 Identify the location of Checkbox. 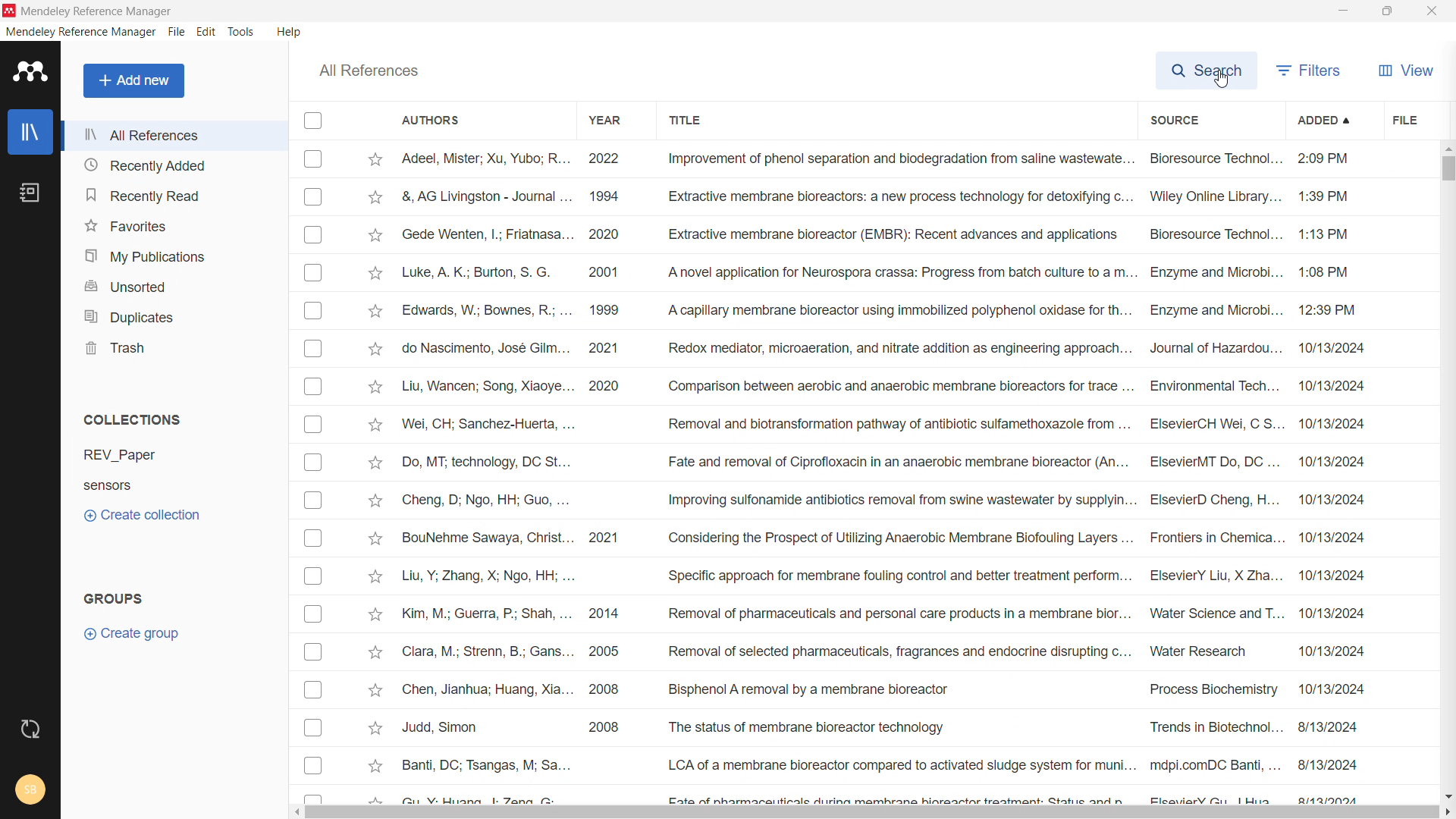
(313, 421).